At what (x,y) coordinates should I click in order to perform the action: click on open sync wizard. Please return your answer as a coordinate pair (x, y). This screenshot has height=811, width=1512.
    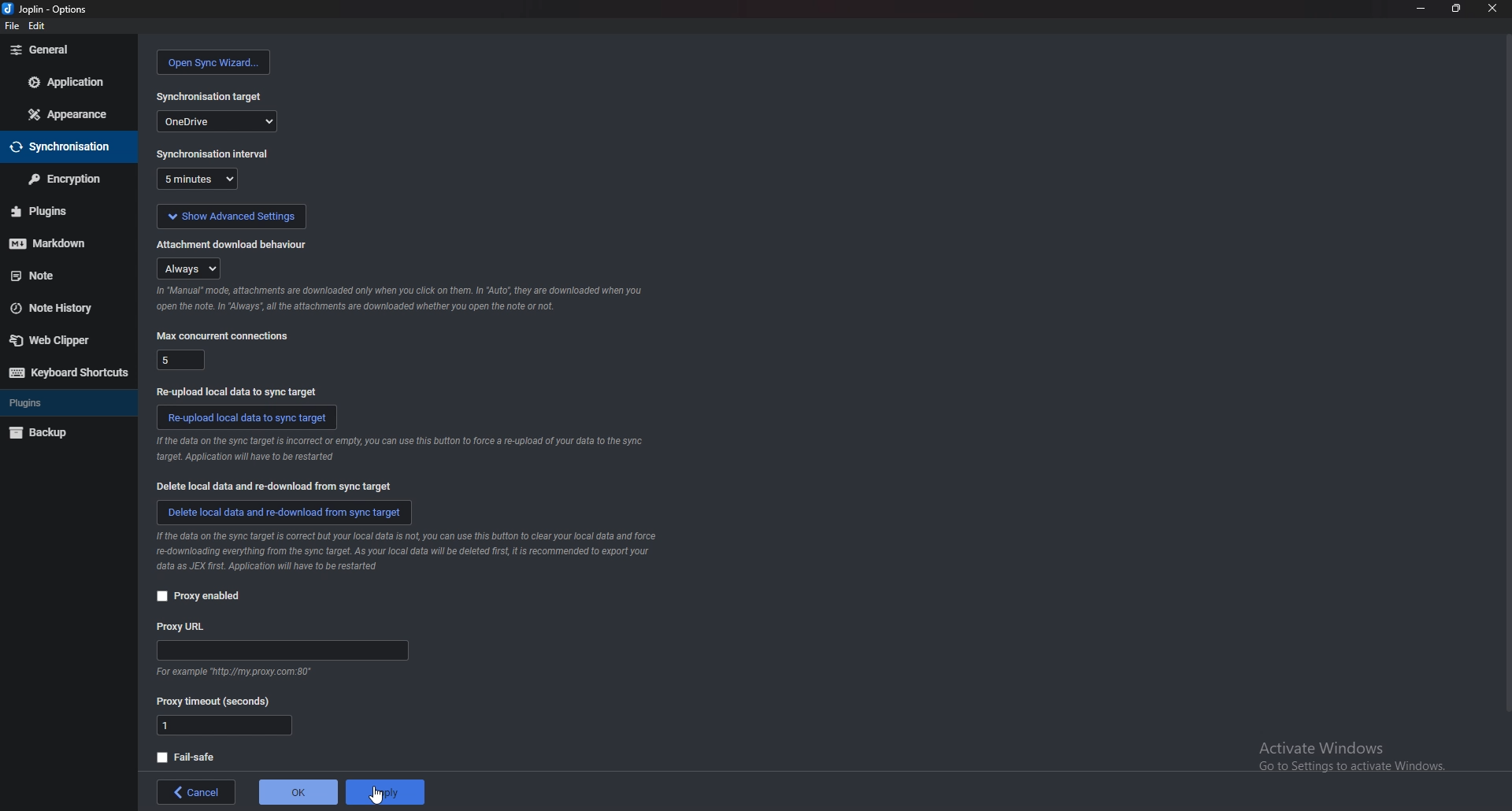
    Looking at the image, I should click on (212, 62).